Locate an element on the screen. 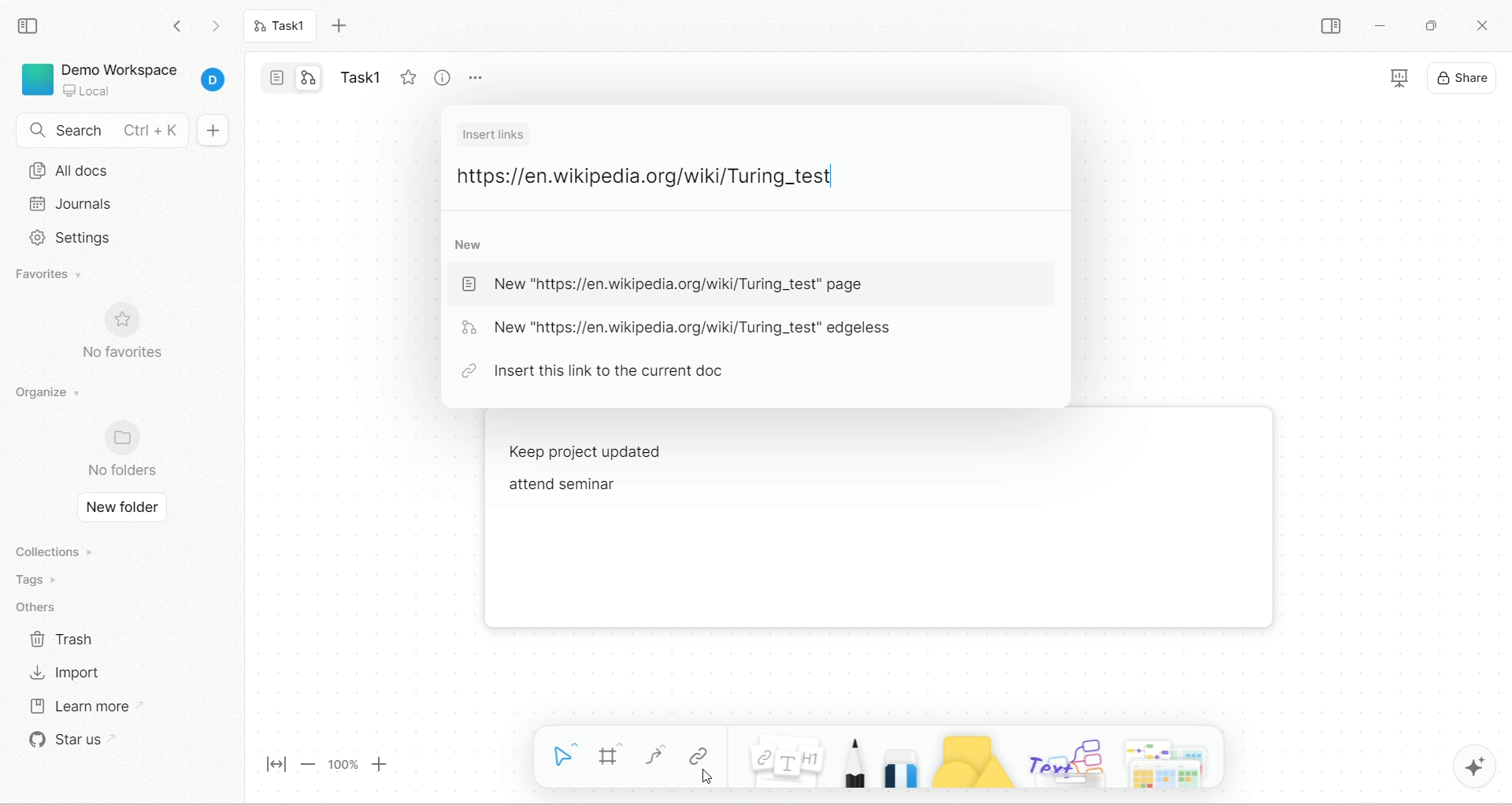 The height and width of the screenshot is (805, 1512). URL for edgeless mode -   New "https://en.wikipedia.org/wiki/Turing_test" edgeless is located at coordinates (681, 328).